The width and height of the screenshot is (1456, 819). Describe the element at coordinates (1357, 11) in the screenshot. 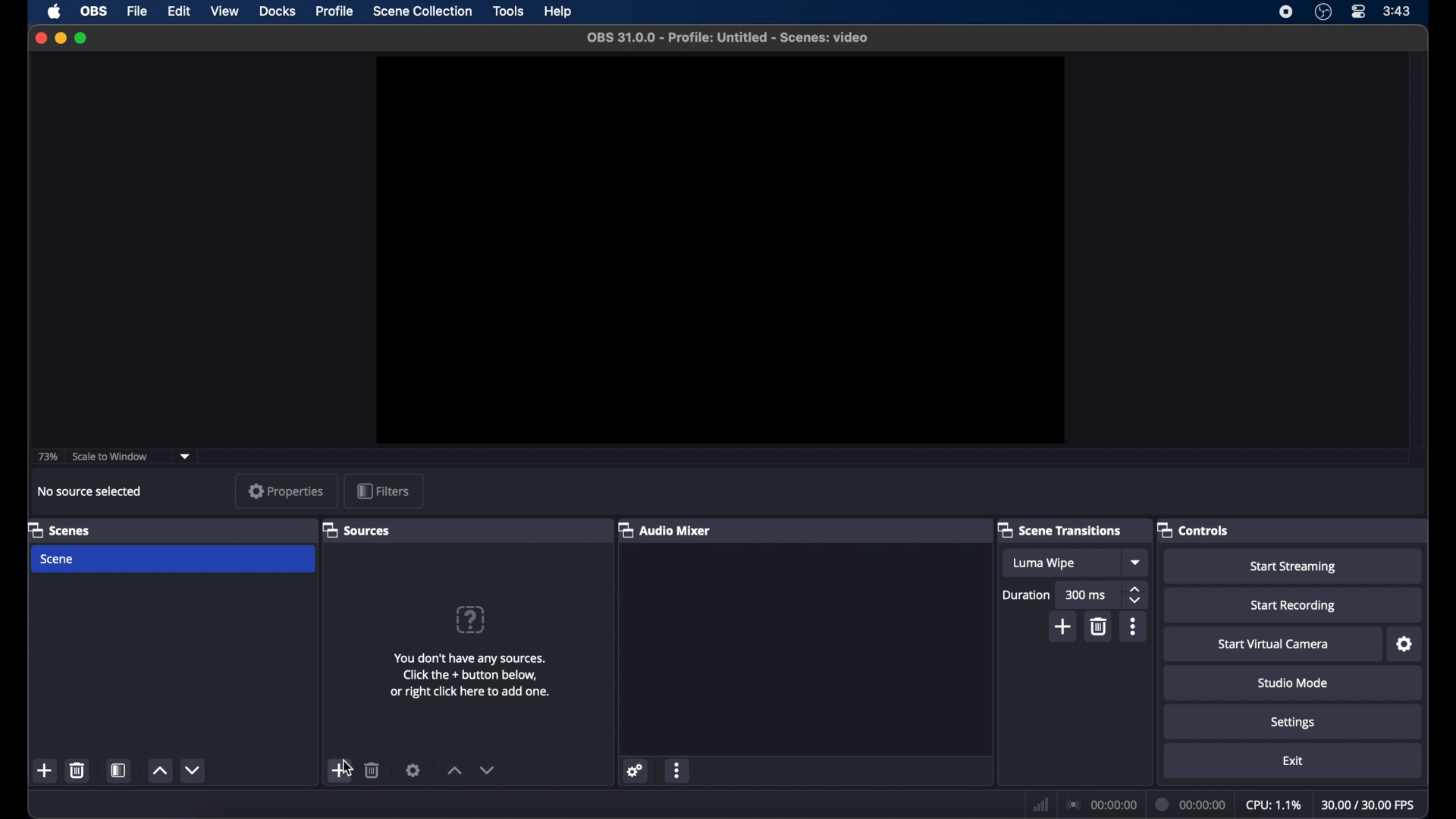

I see `control center` at that location.